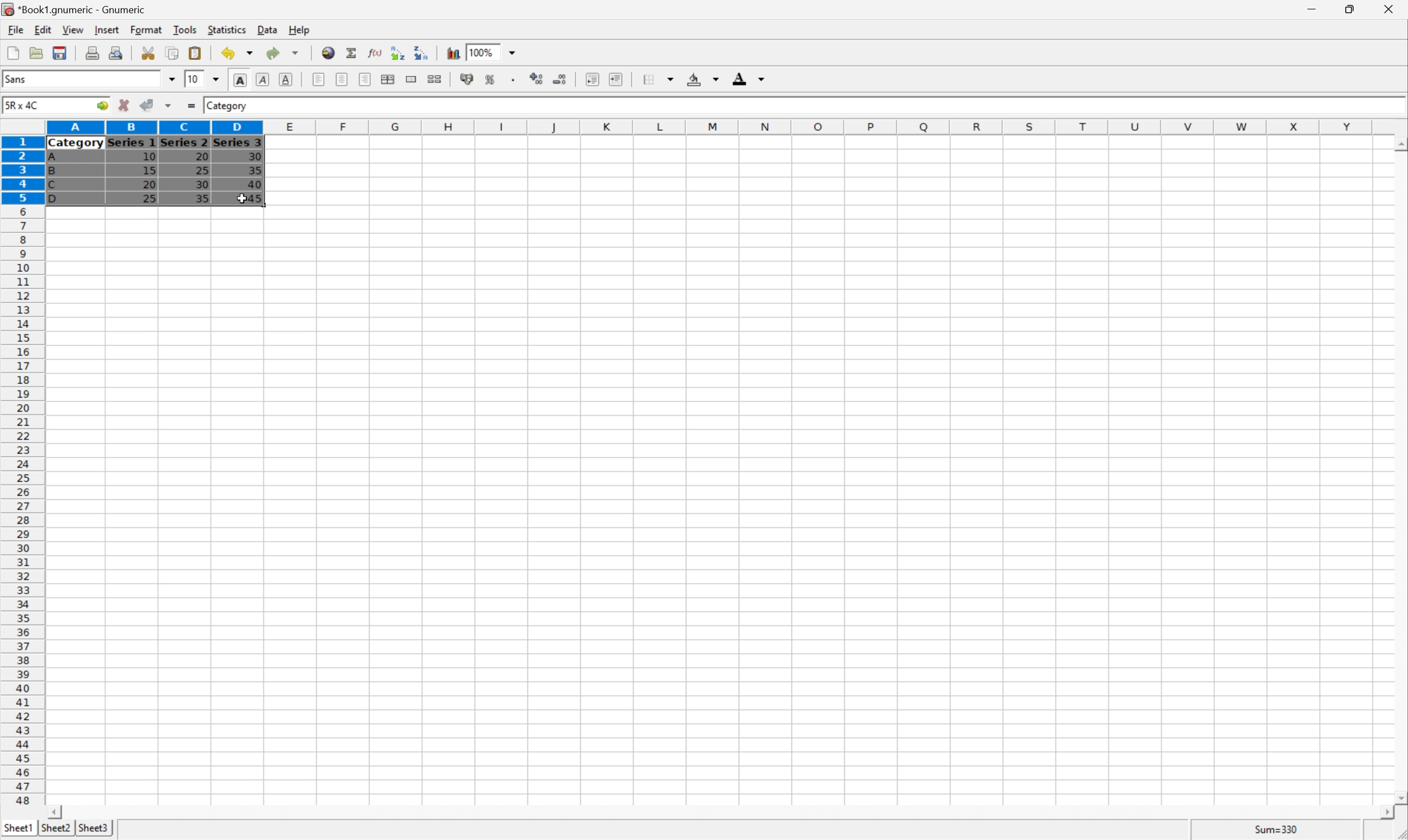 This screenshot has height=840, width=1408. What do you see at coordinates (76, 144) in the screenshot?
I see `Category` at bounding box center [76, 144].